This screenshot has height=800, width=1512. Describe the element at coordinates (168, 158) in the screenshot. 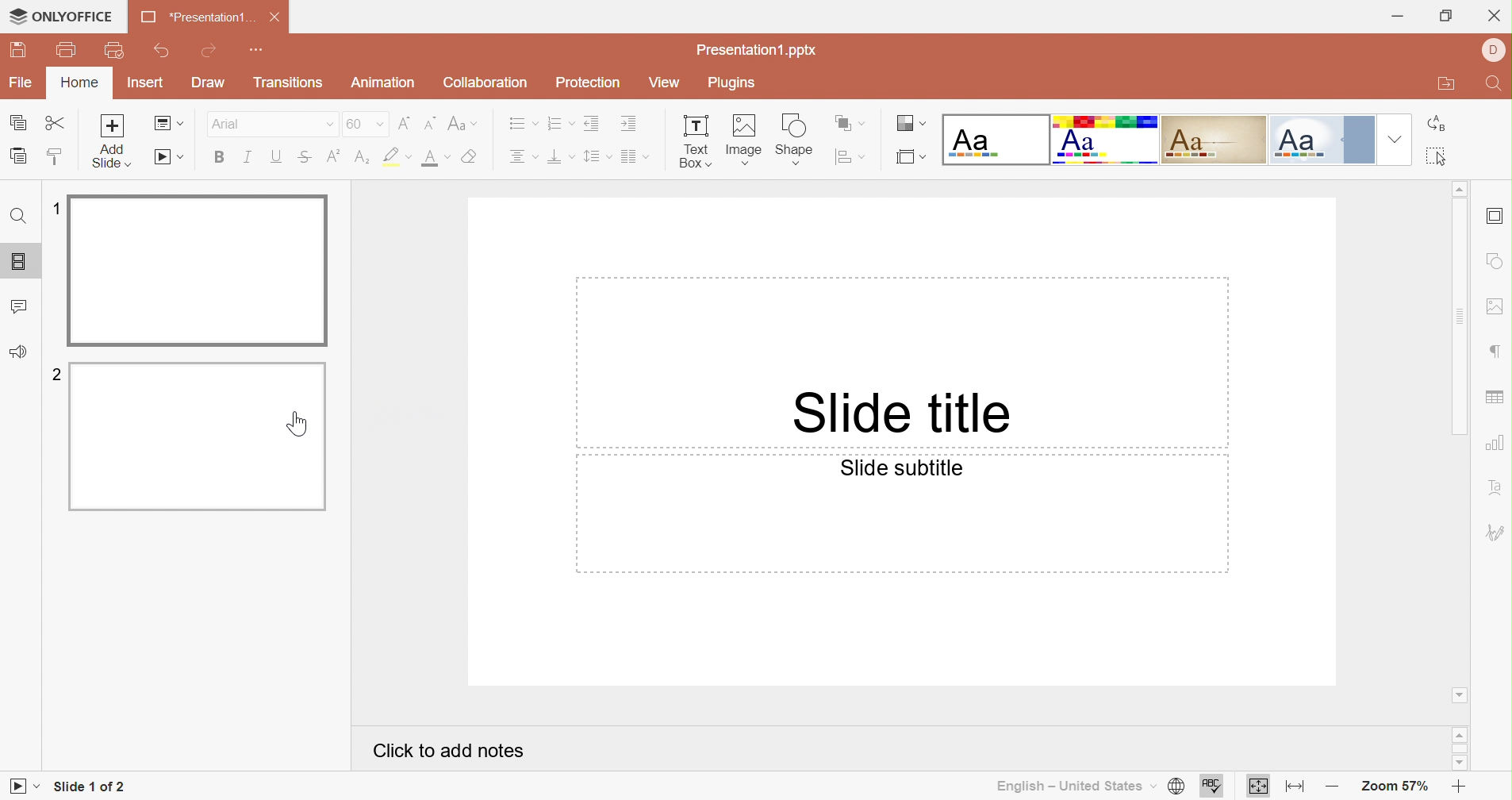

I see `Start Slideshow` at that location.